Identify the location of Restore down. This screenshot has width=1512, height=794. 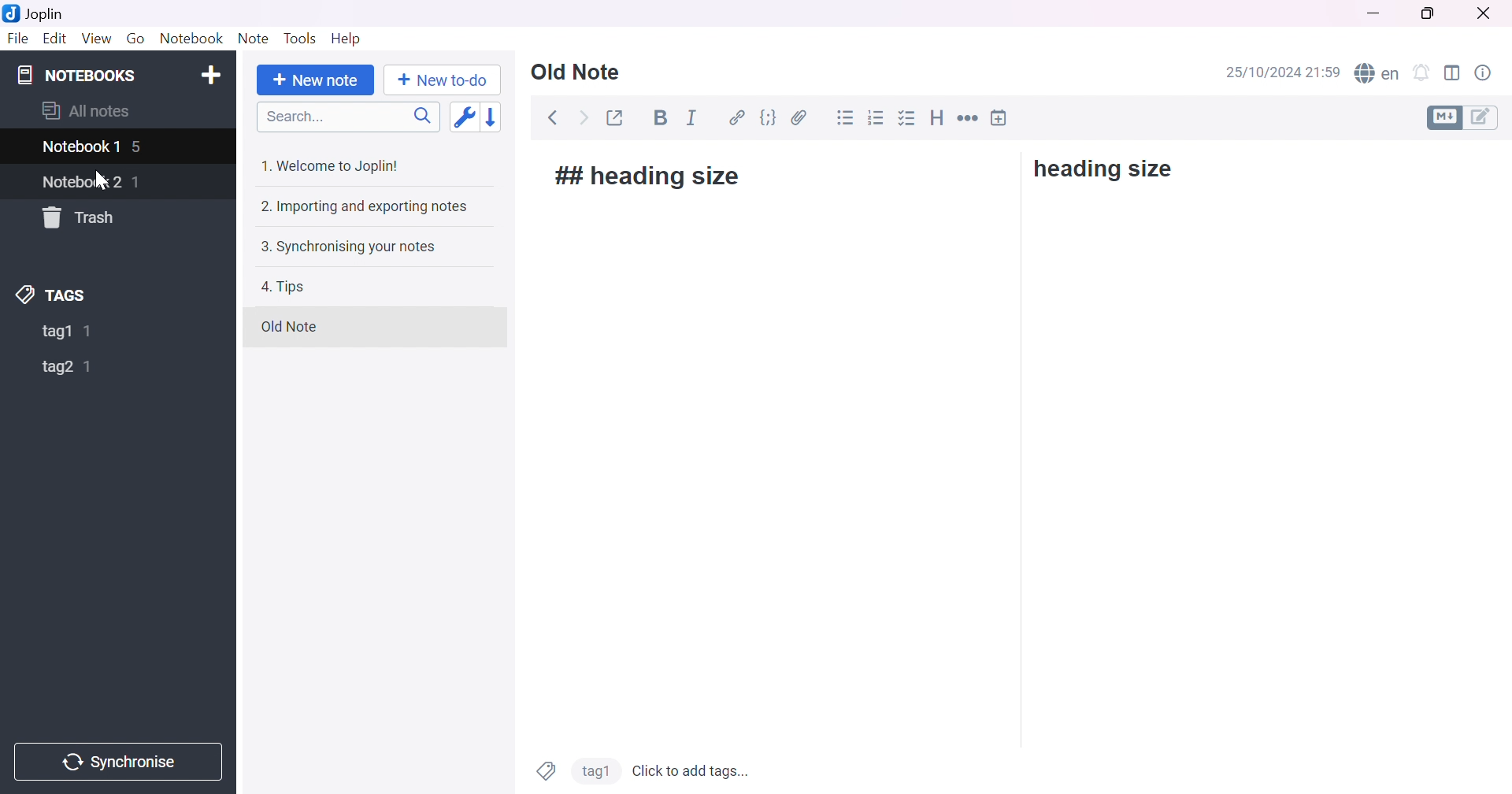
(1429, 15).